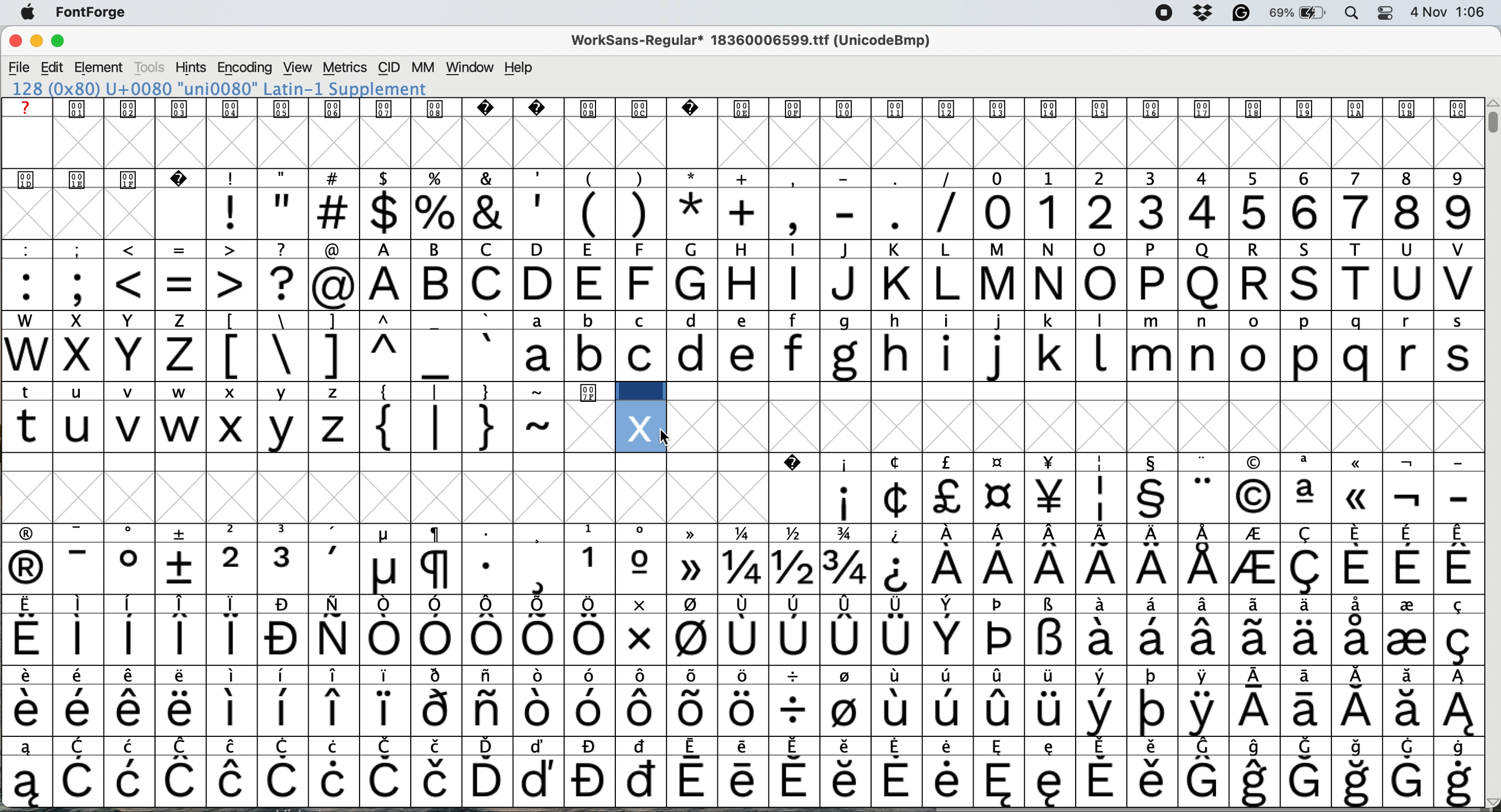 This screenshot has width=1501, height=812. I want to click on v z: lower case letters, so click(311, 427).